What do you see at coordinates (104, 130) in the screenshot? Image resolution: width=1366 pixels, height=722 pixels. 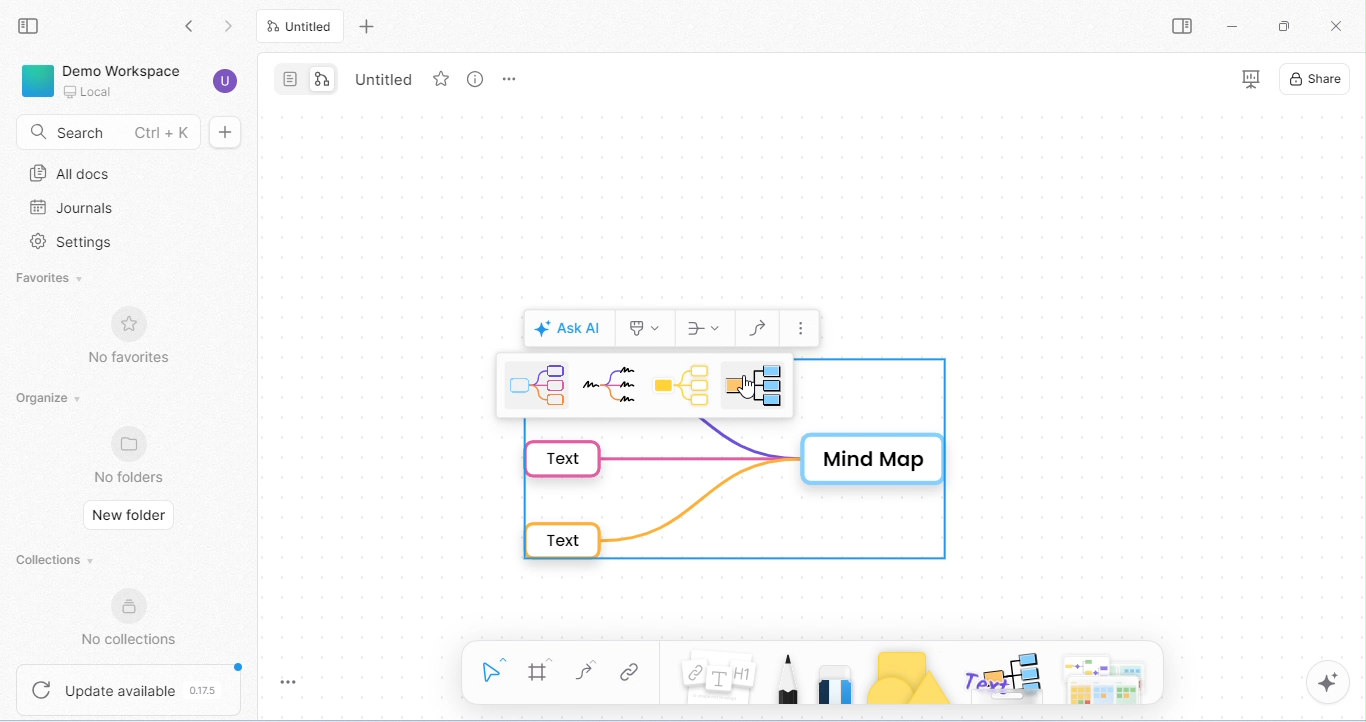 I see `search` at bounding box center [104, 130].